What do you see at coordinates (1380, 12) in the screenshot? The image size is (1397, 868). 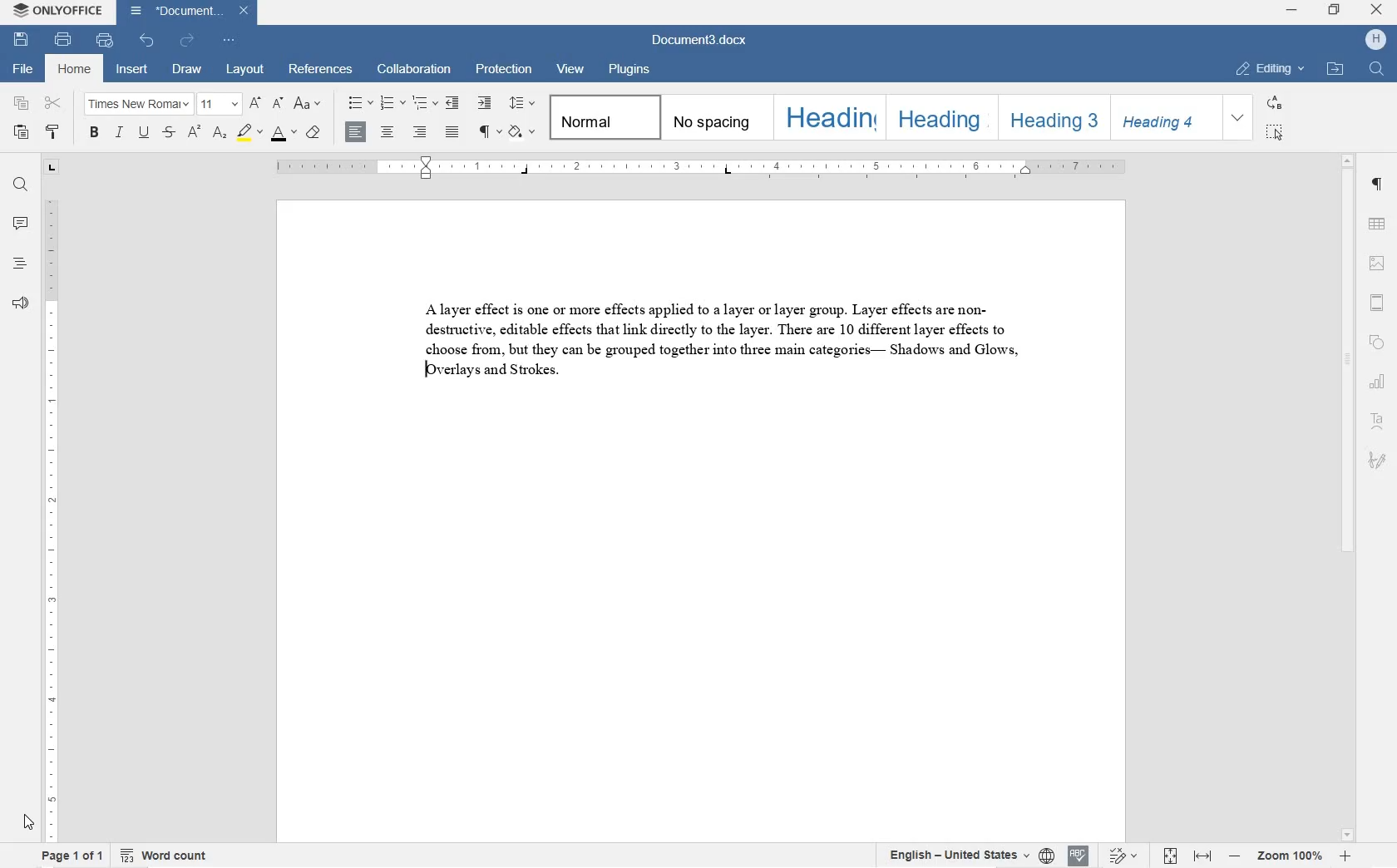 I see `CLOSE` at bounding box center [1380, 12].